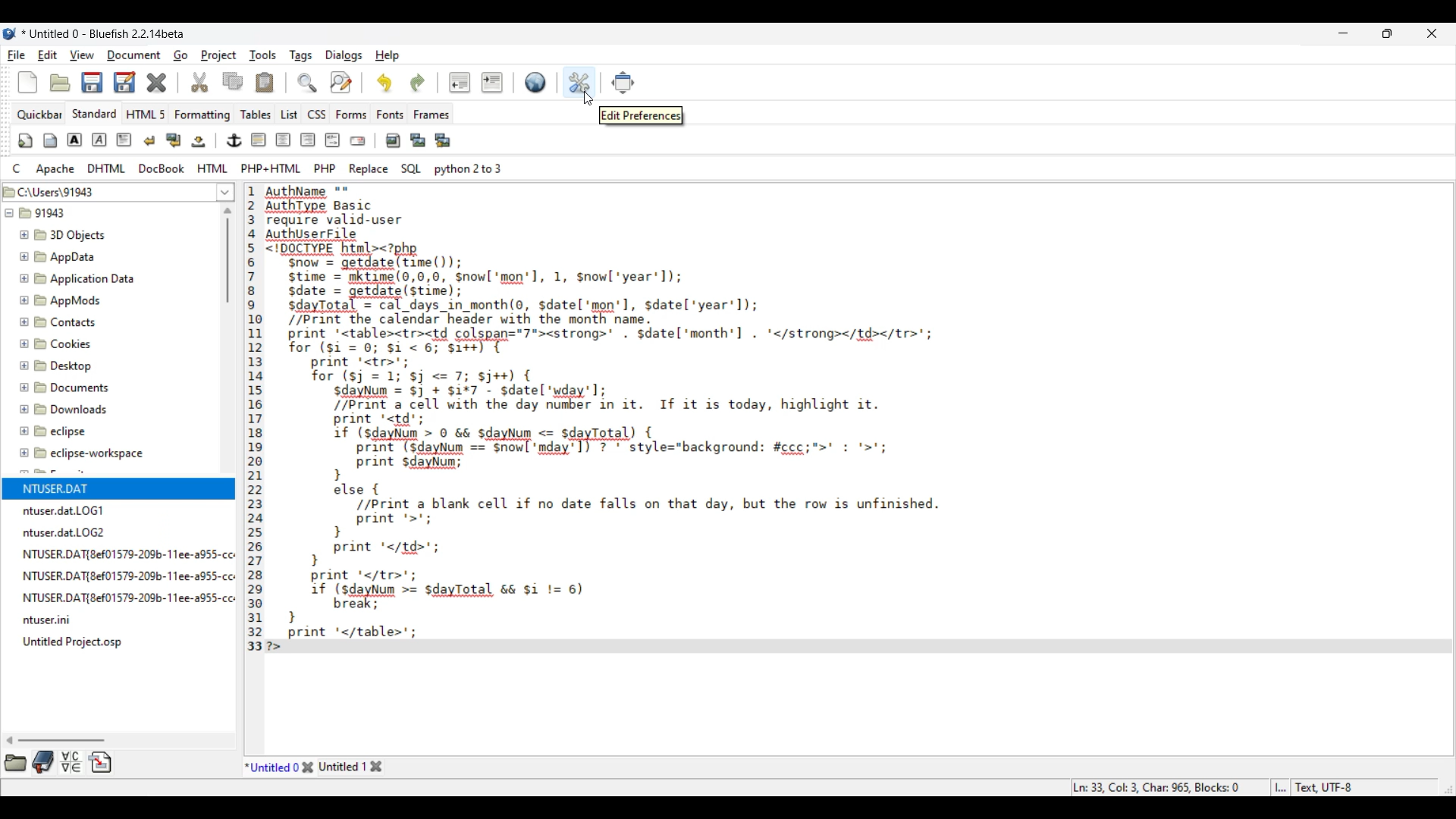  What do you see at coordinates (145, 115) in the screenshot?
I see `HTML 5 menu` at bounding box center [145, 115].